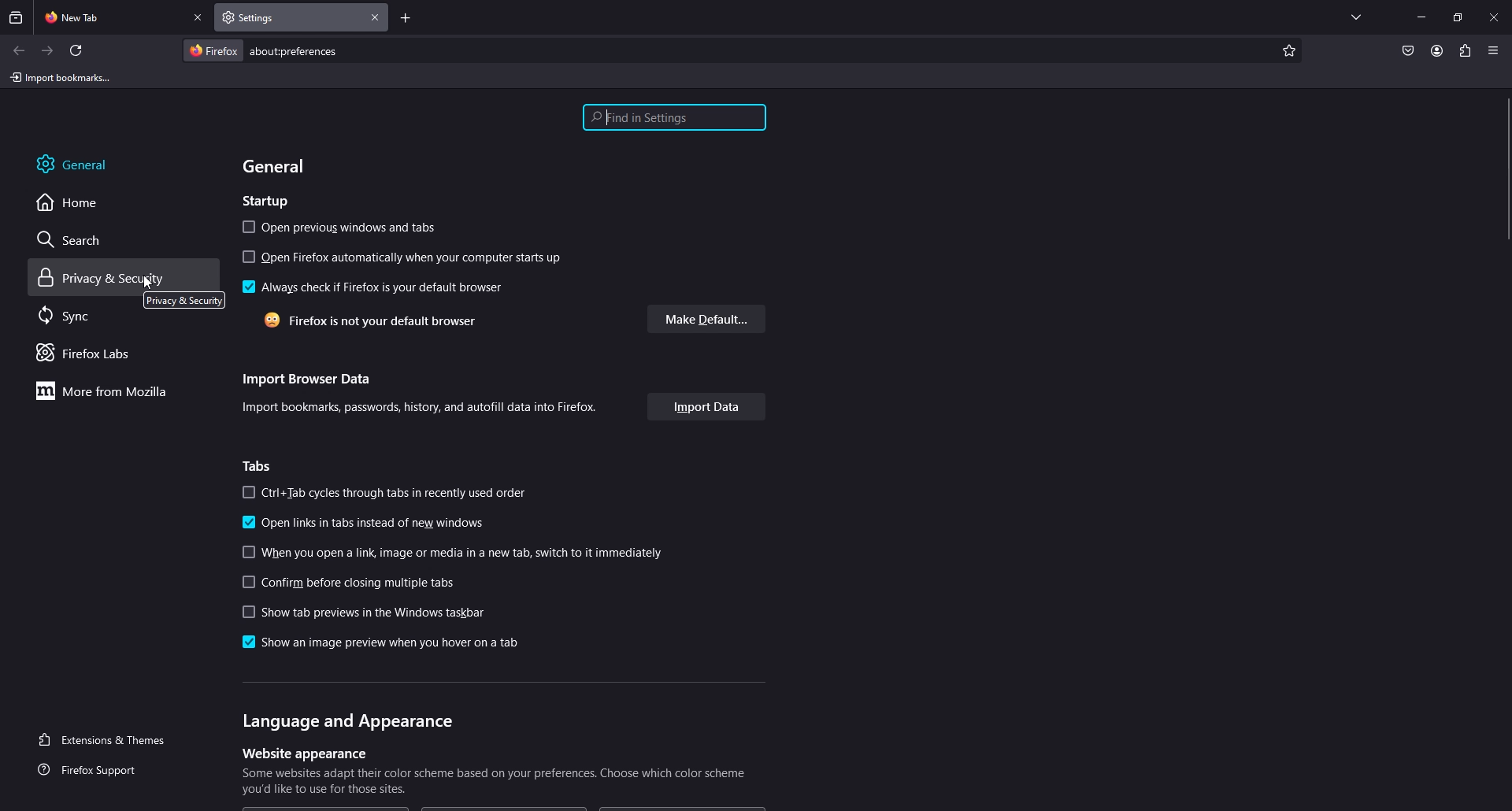 The width and height of the screenshot is (1512, 811). I want to click on new tab, so click(111, 16).